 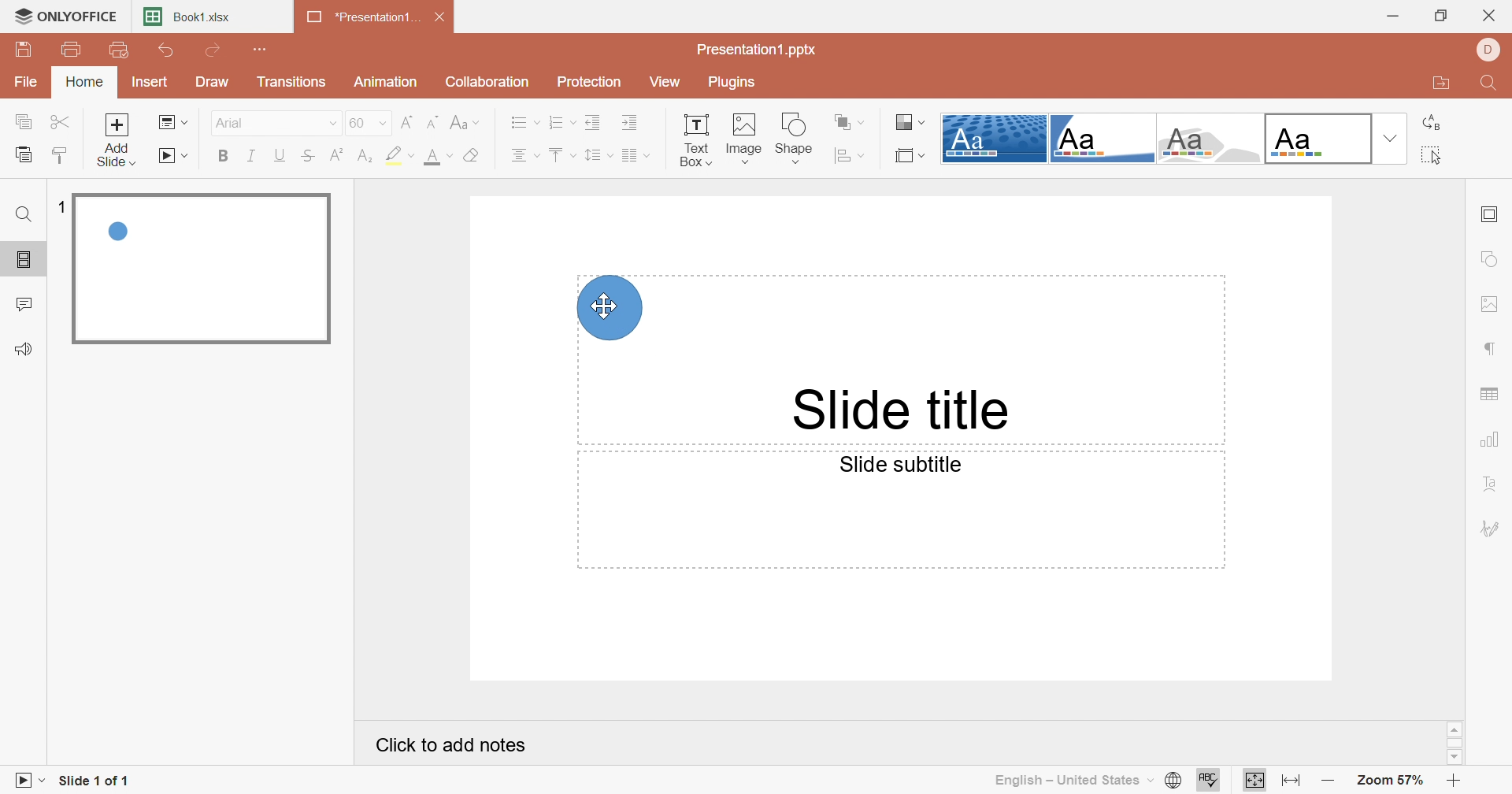 I want to click on Scroll up, so click(x=1455, y=729).